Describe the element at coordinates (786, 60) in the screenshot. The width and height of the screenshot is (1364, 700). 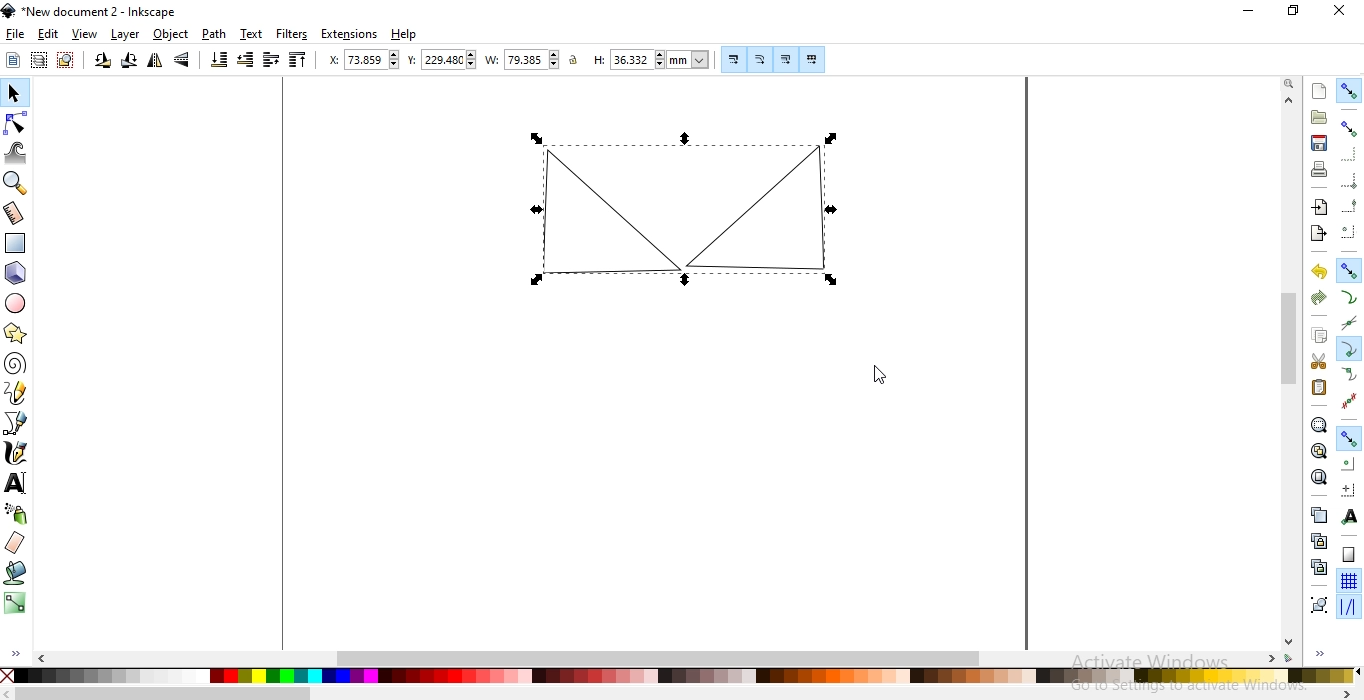
I see `move gradients along with objects` at that location.